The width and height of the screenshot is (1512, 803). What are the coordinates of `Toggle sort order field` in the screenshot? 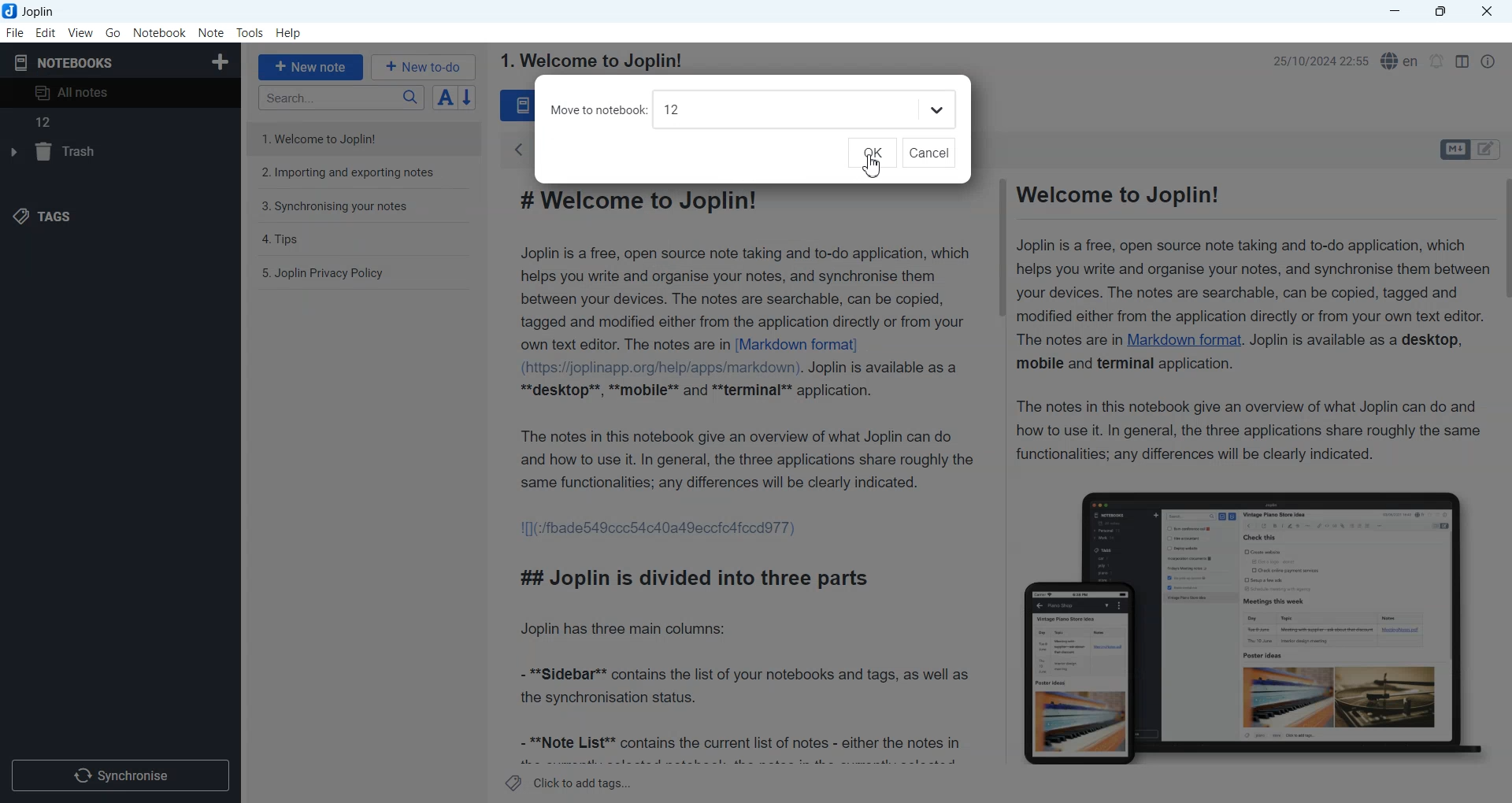 It's located at (445, 97).